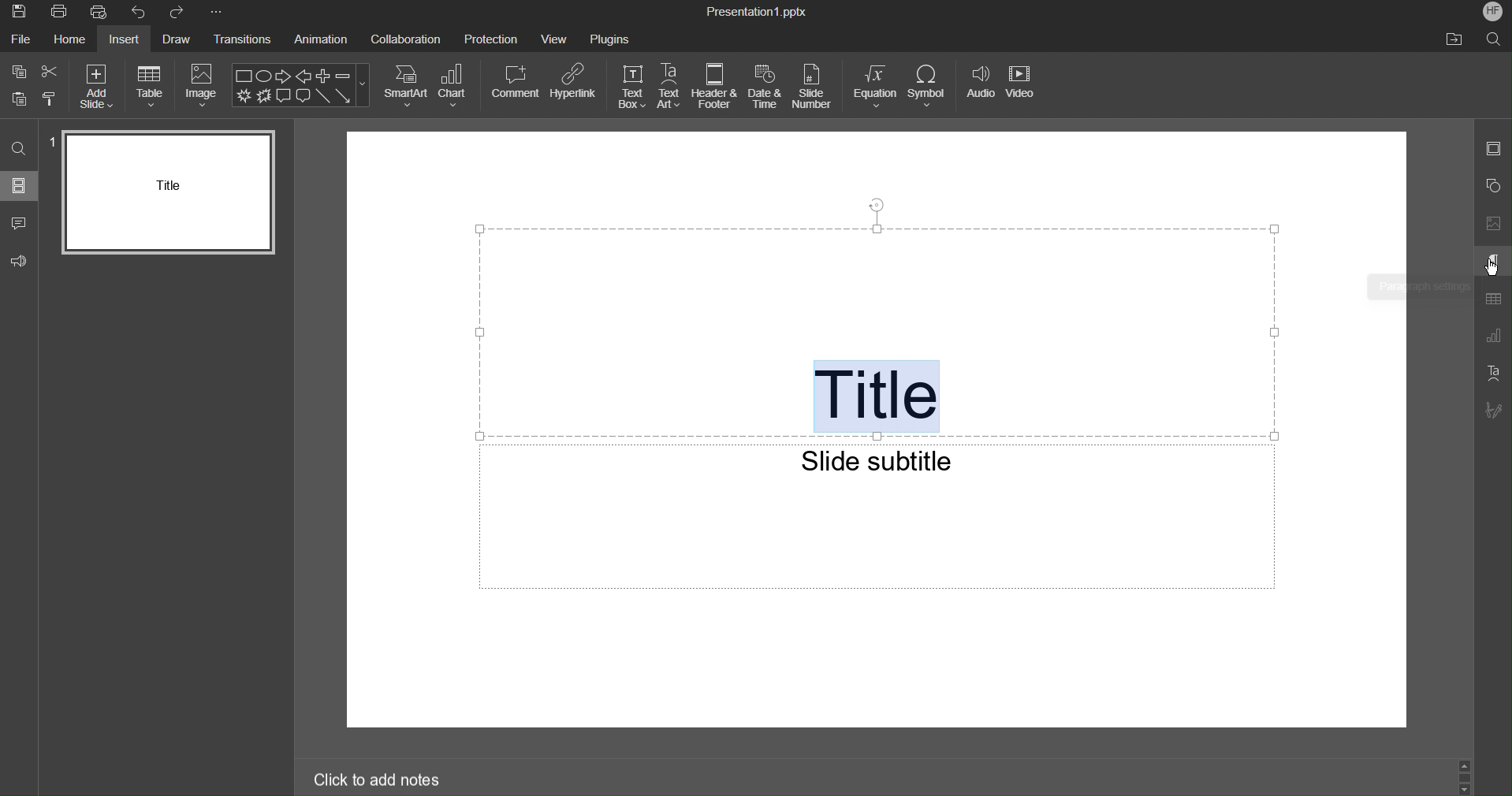 The width and height of the screenshot is (1512, 796). What do you see at coordinates (930, 87) in the screenshot?
I see `Symbol` at bounding box center [930, 87].